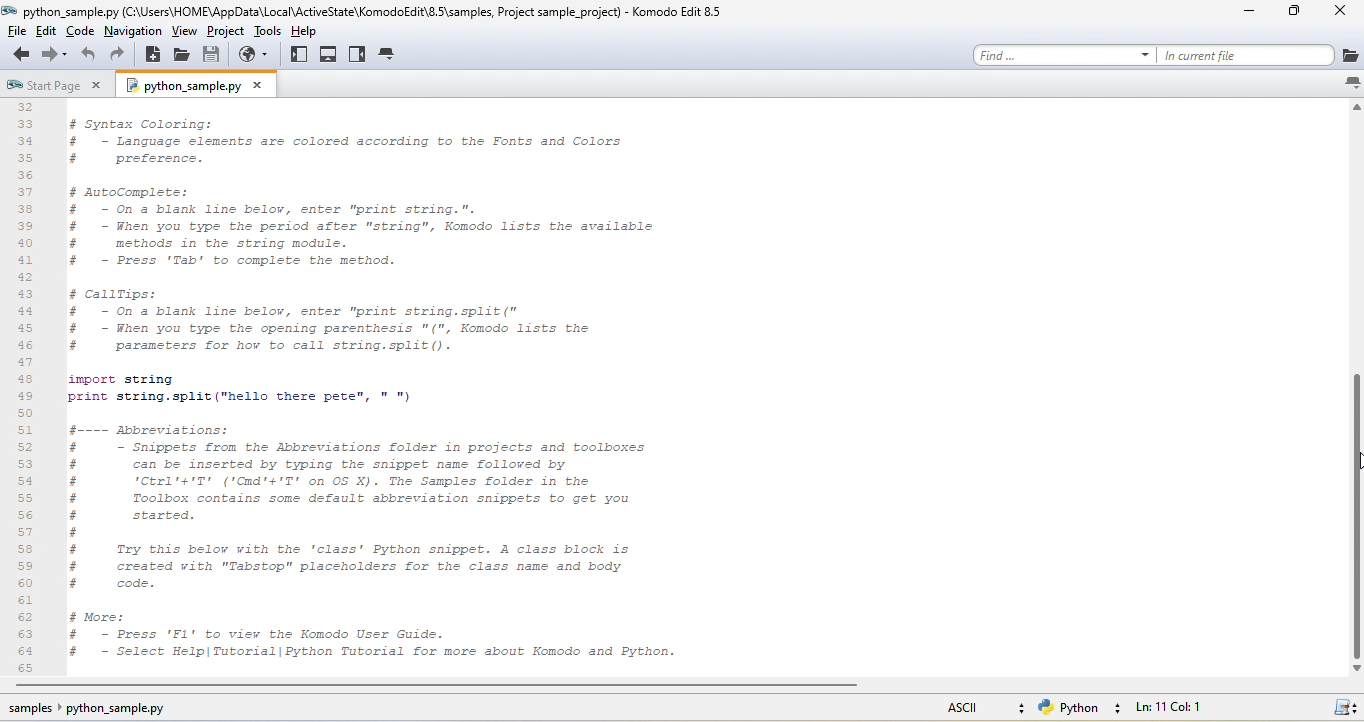  What do you see at coordinates (1202, 709) in the screenshot?
I see `lnc11, col 1` at bounding box center [1202, 709].